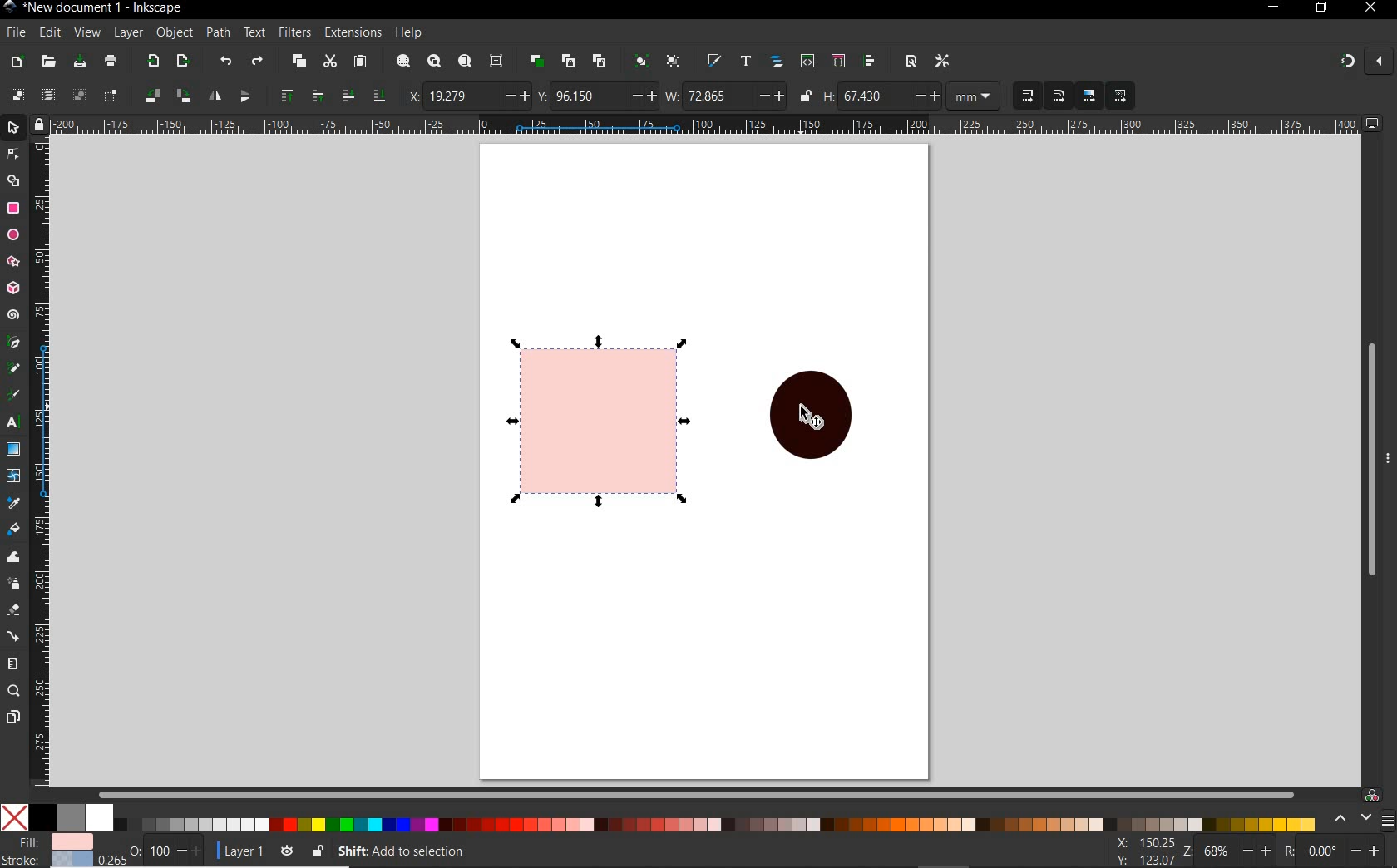 This screenshot has height=868, width=1397. What do you see at coordinates (629, 854) in the screenshot?
I see `no object selected` at bounding box center [629, 854].